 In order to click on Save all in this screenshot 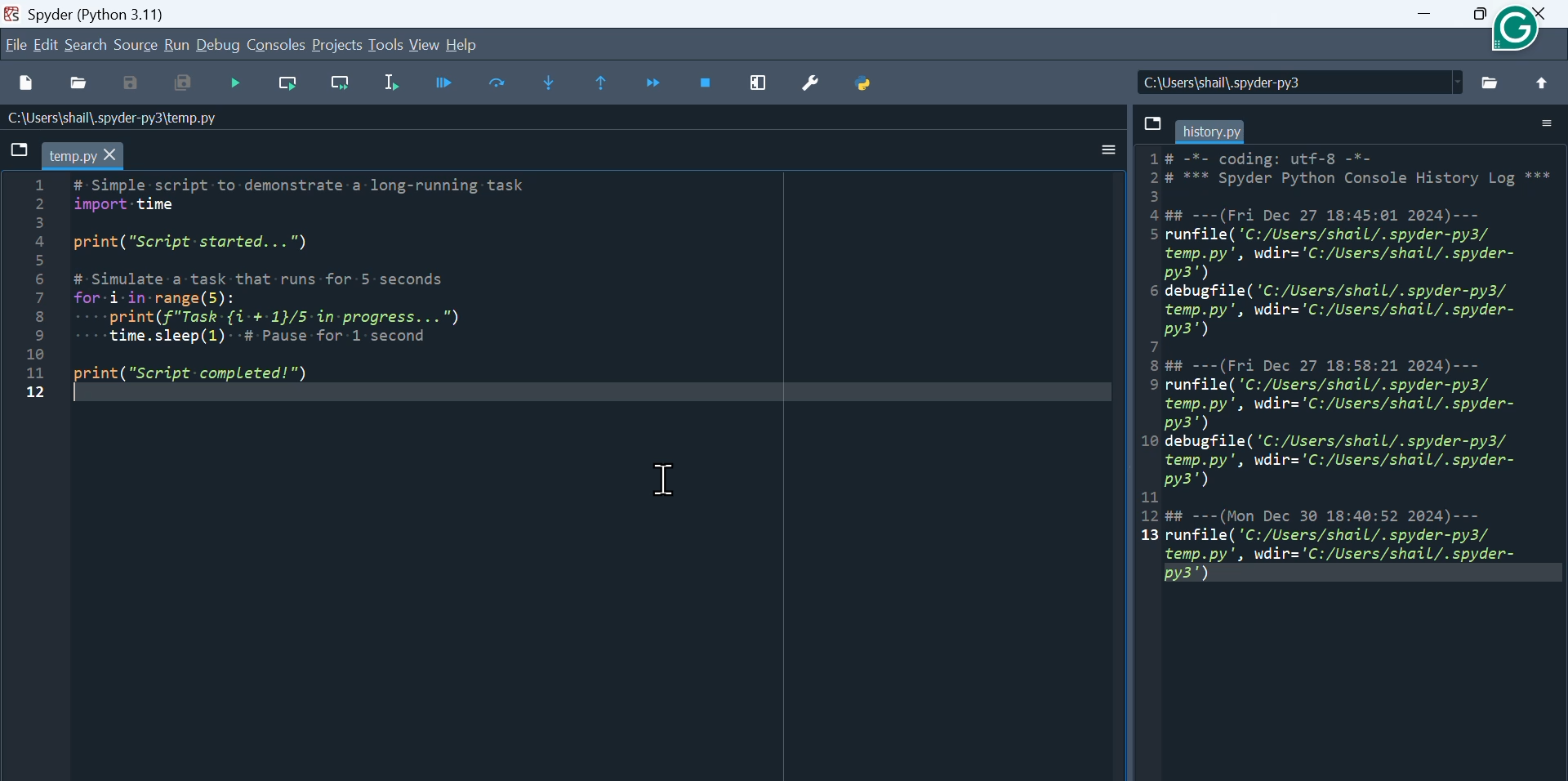, I will do `click(180, 85)`.